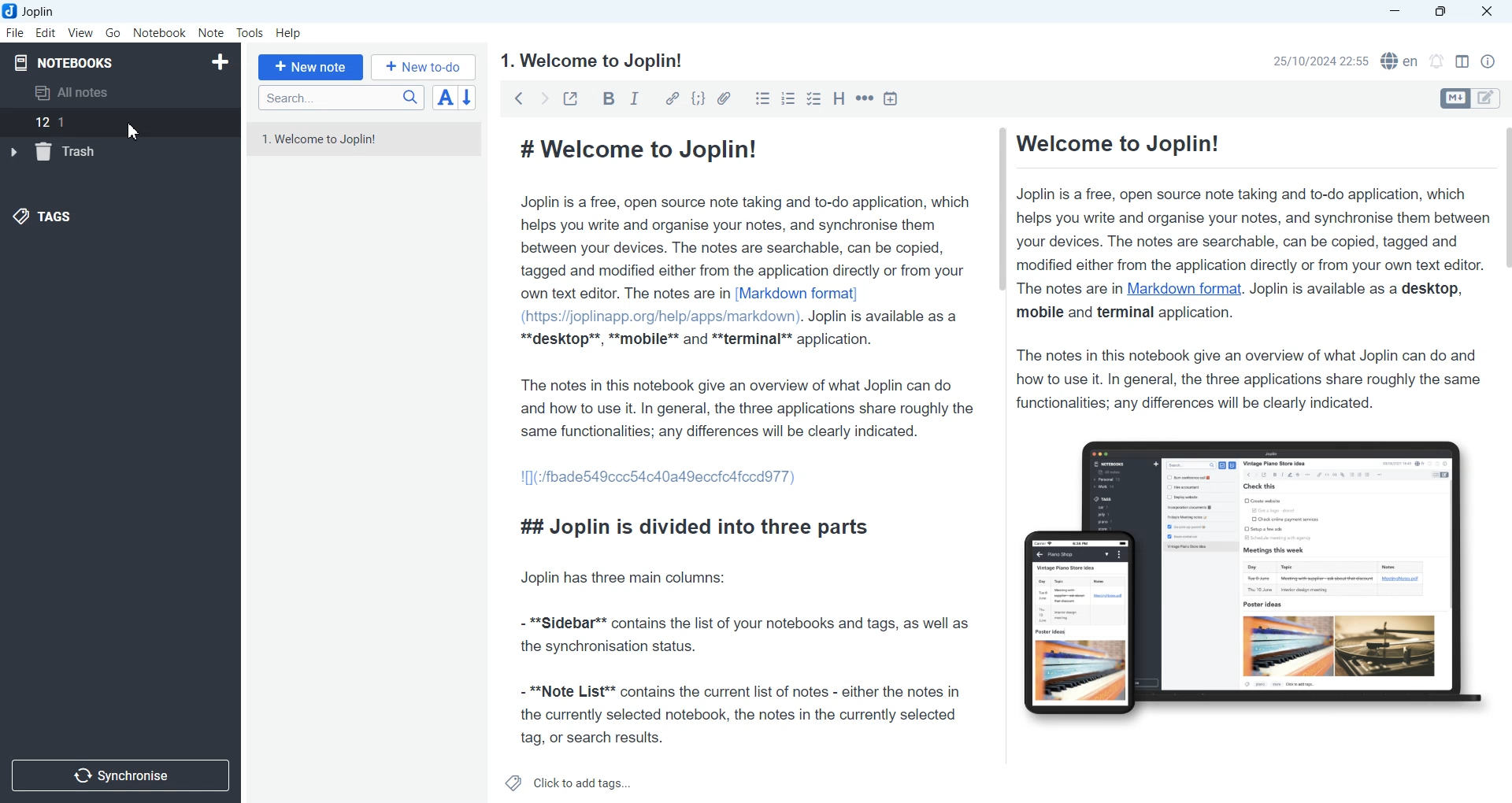 The height and width of the screenshot is (803, 1512). I want to click on Numbered list, so click(787, 98).